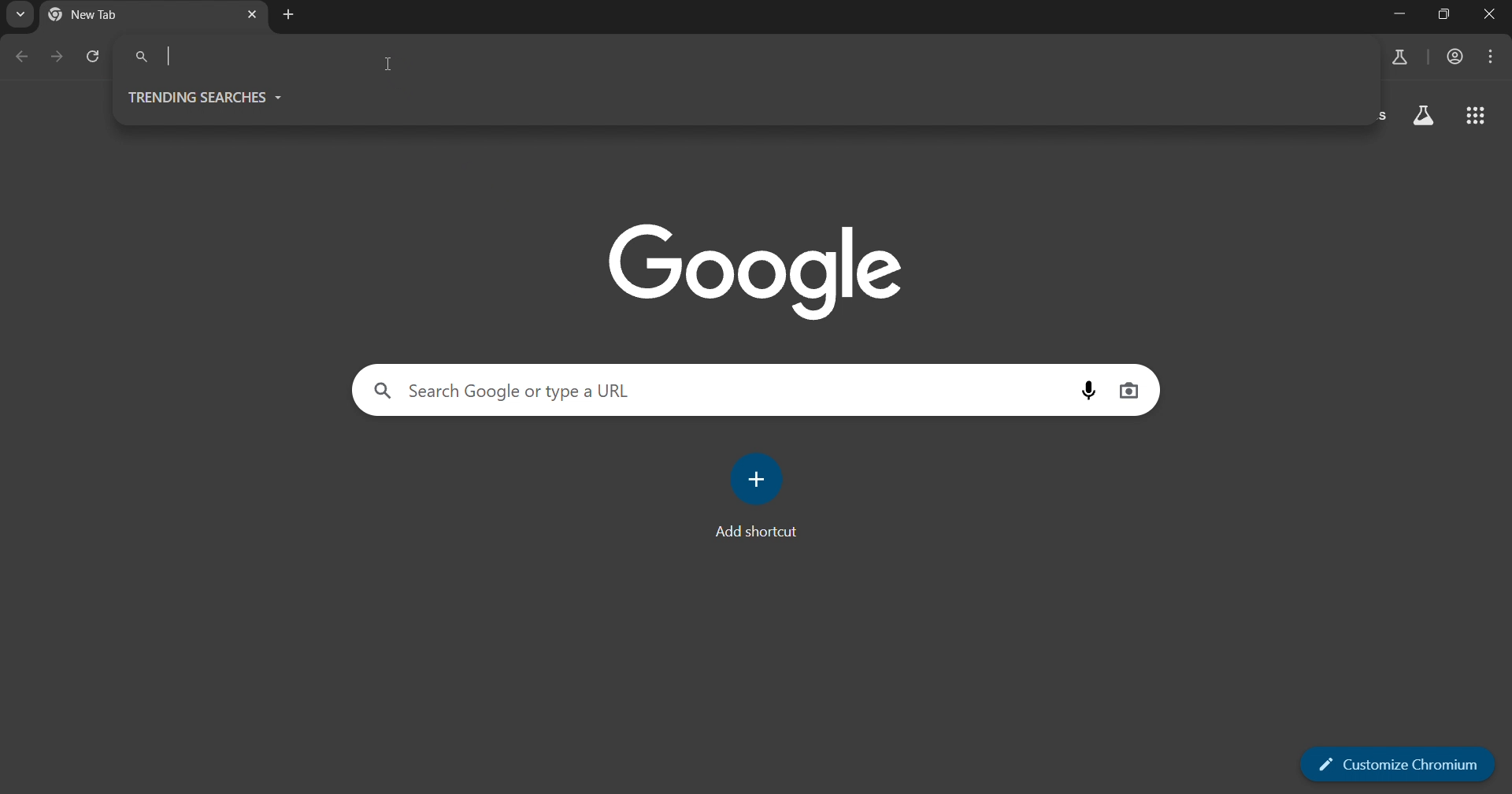  I want to click on menu, so click(1492, 58).